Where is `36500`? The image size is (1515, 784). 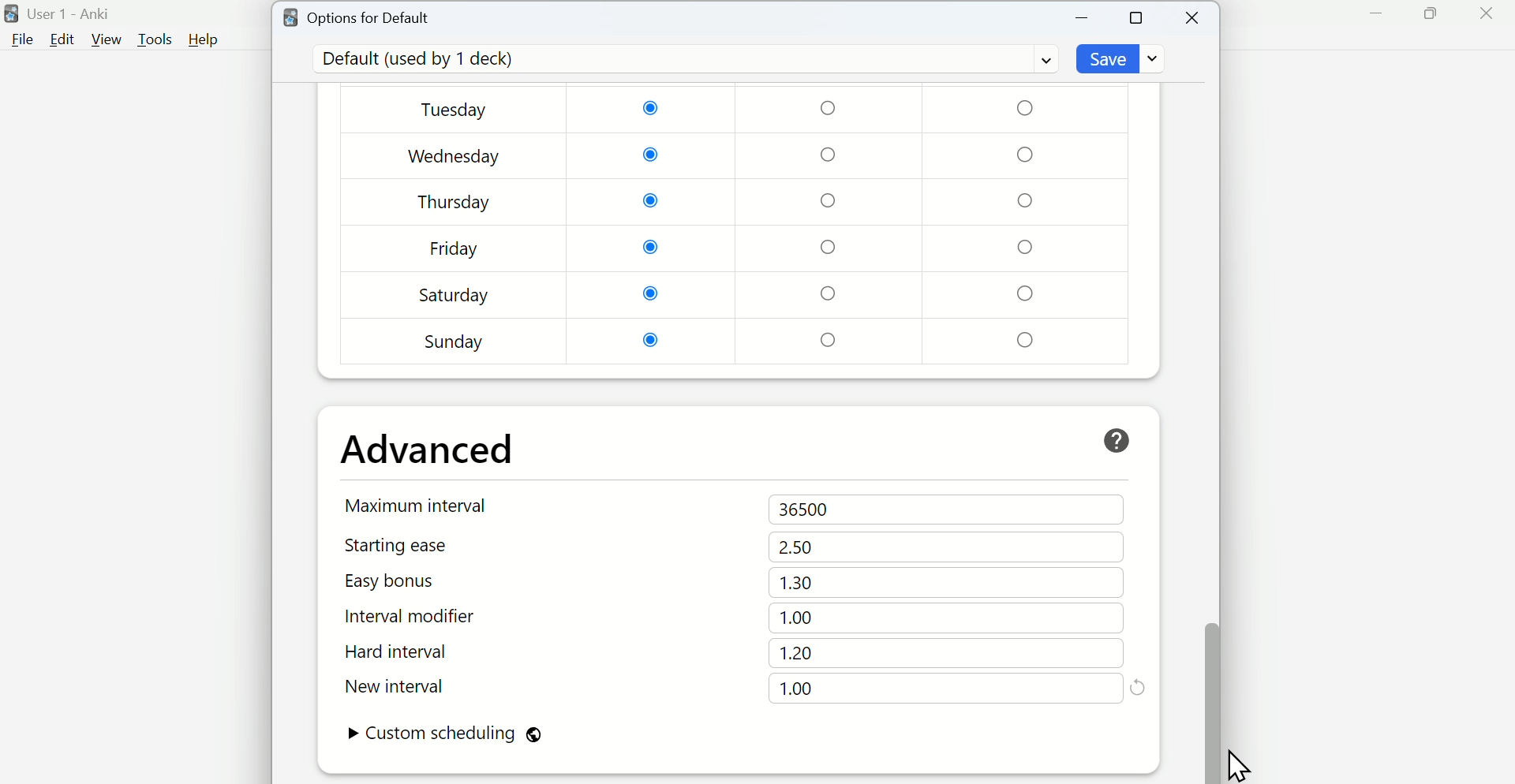
36500 is located at coordinates (808, 510).